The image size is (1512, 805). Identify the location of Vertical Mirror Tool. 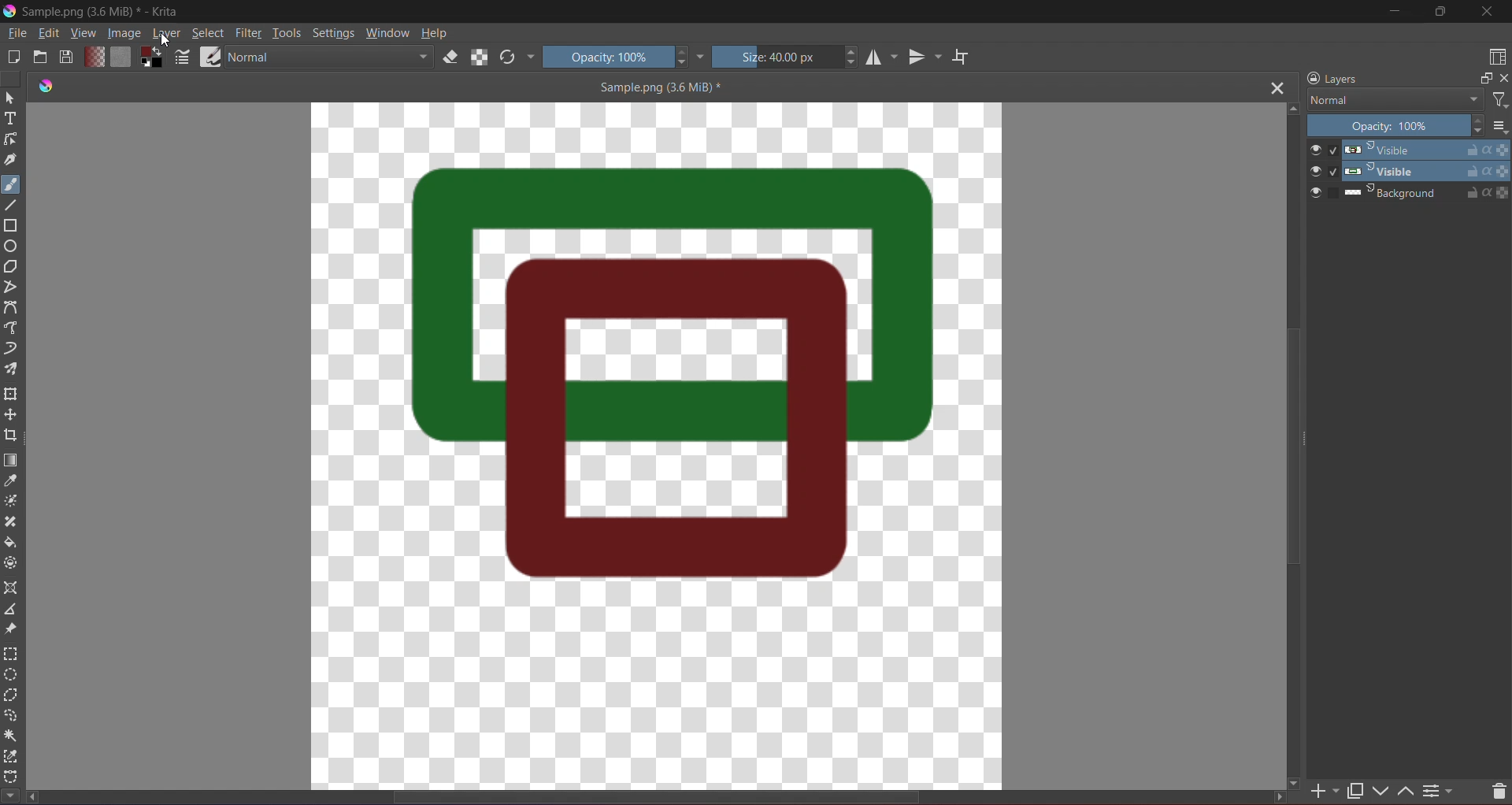
(925, 57).